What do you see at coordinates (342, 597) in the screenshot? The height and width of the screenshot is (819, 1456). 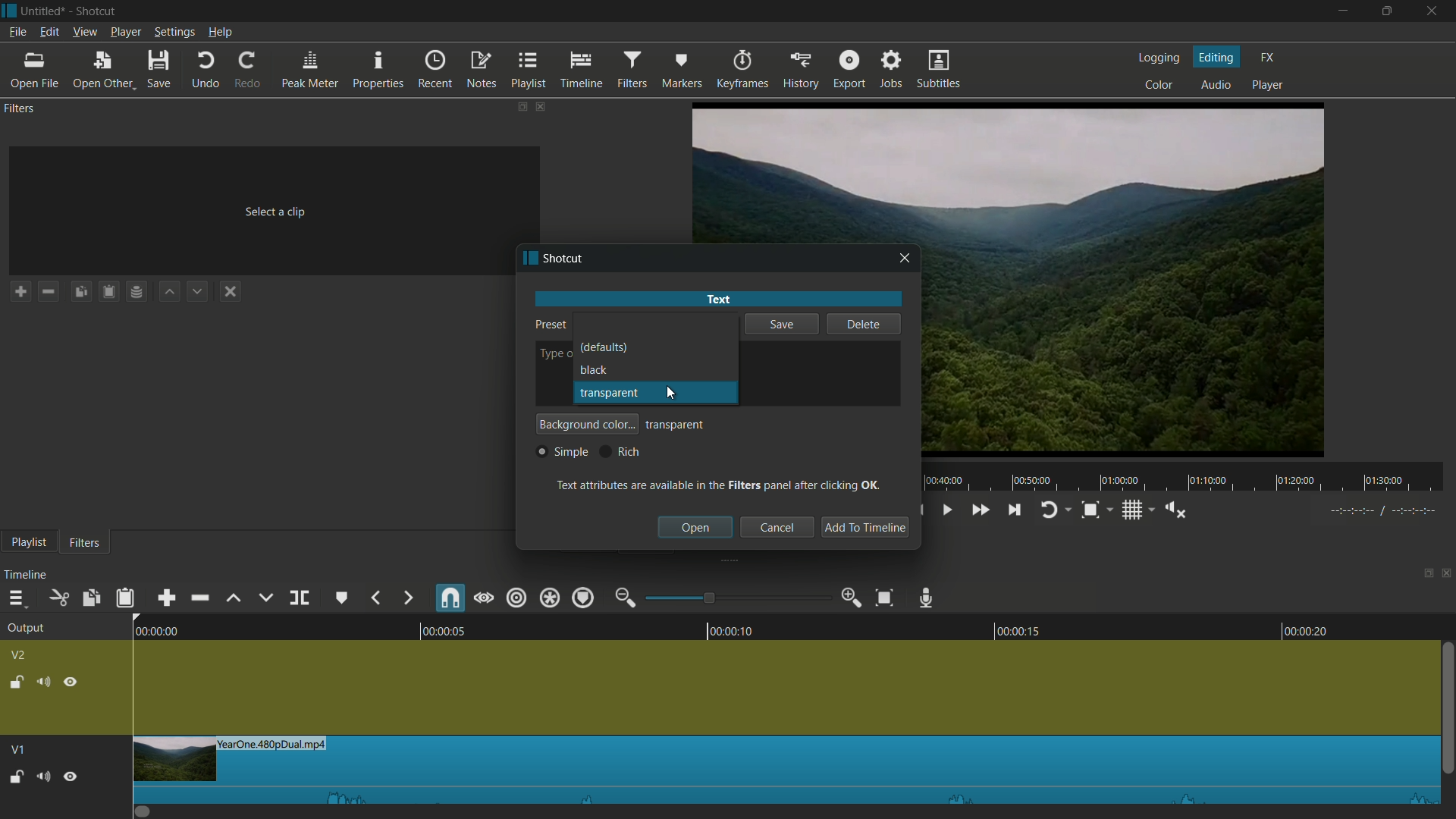 I see `create or edit marker` at bounding box center [342, 597].